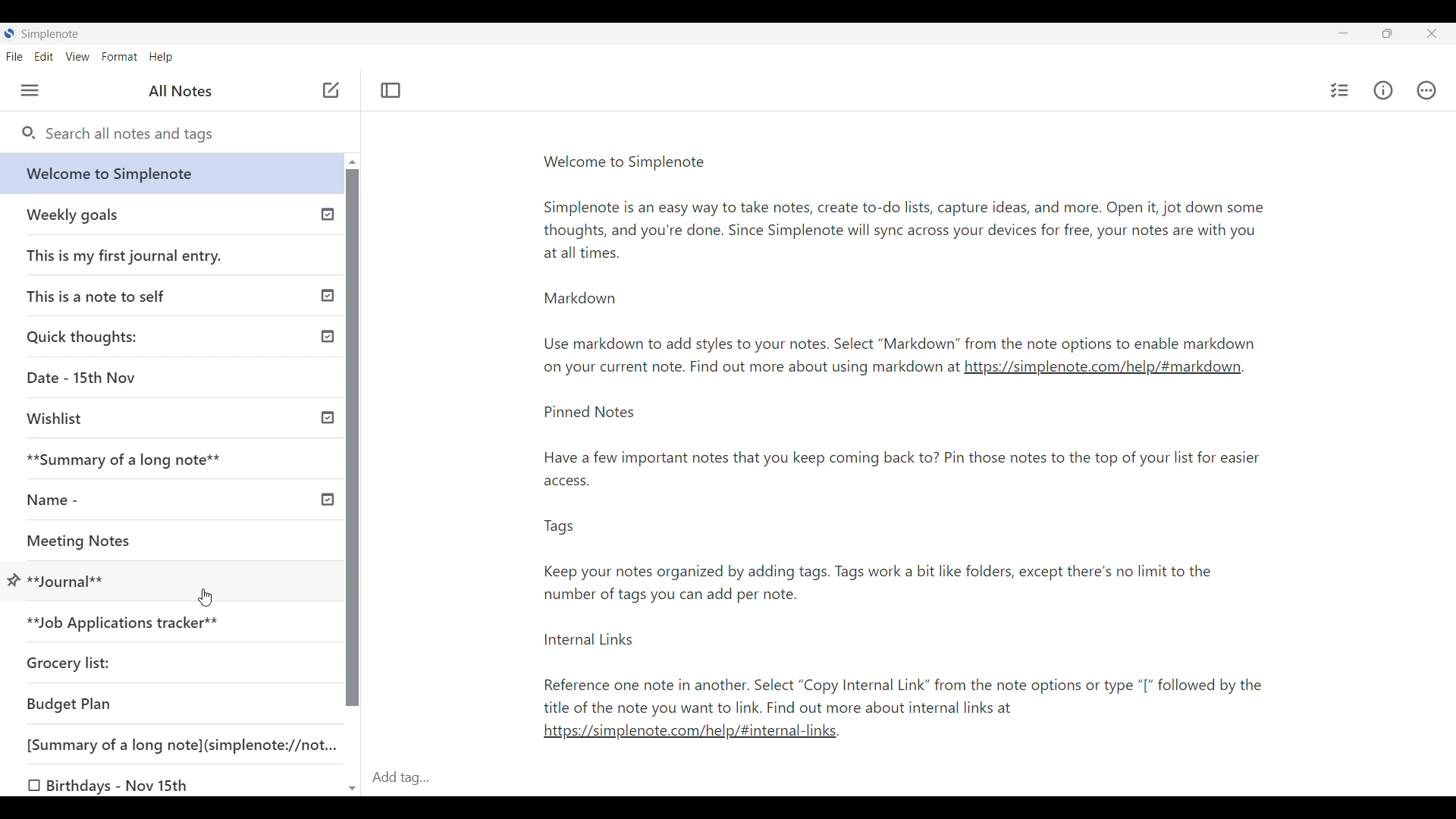  I want to click on Quick thoughts:, so click(85, 336).